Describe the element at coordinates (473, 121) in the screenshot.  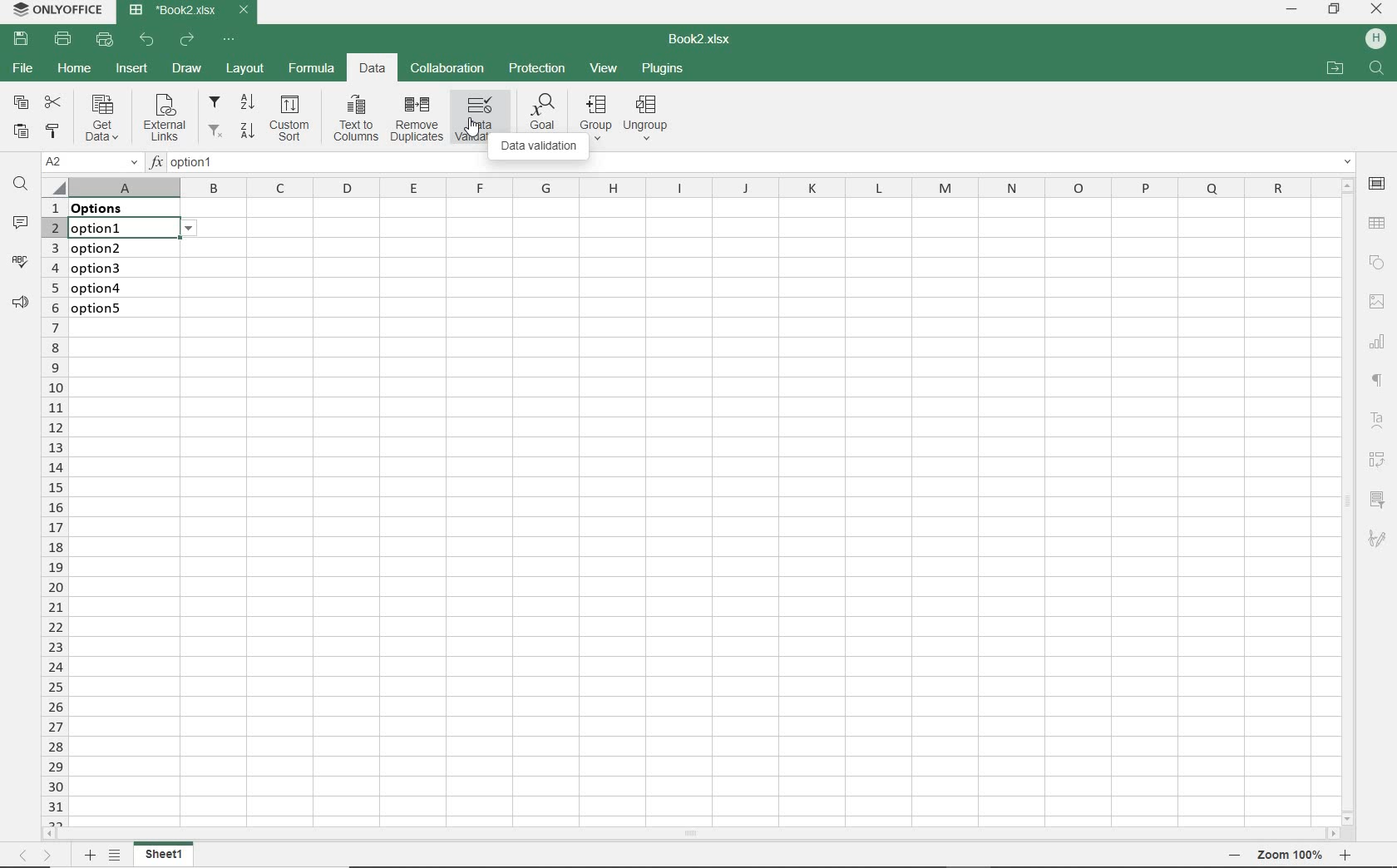
I see `DATA VALIDATION` at that location.